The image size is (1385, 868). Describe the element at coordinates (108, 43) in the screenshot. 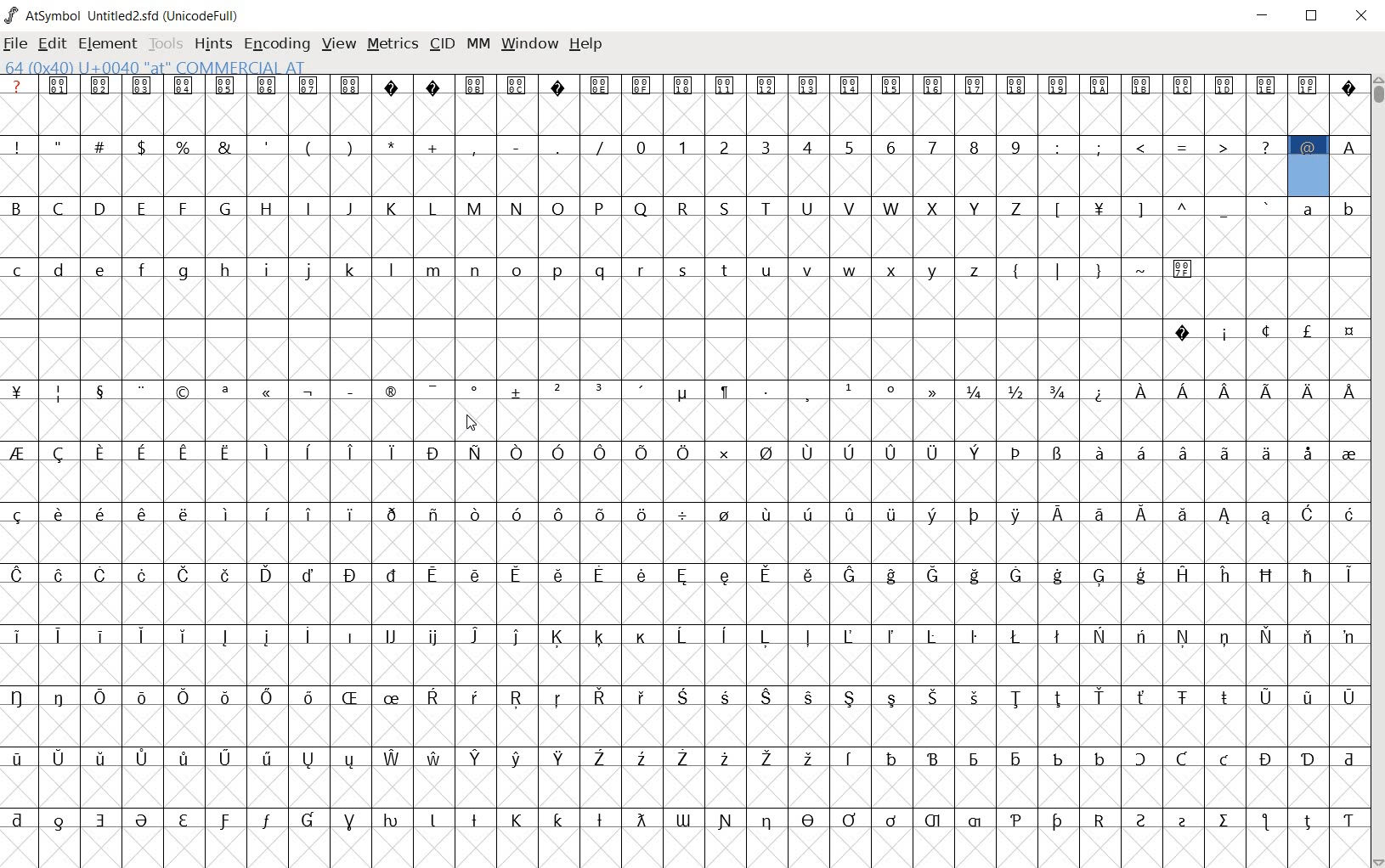

I see `element` at that location.